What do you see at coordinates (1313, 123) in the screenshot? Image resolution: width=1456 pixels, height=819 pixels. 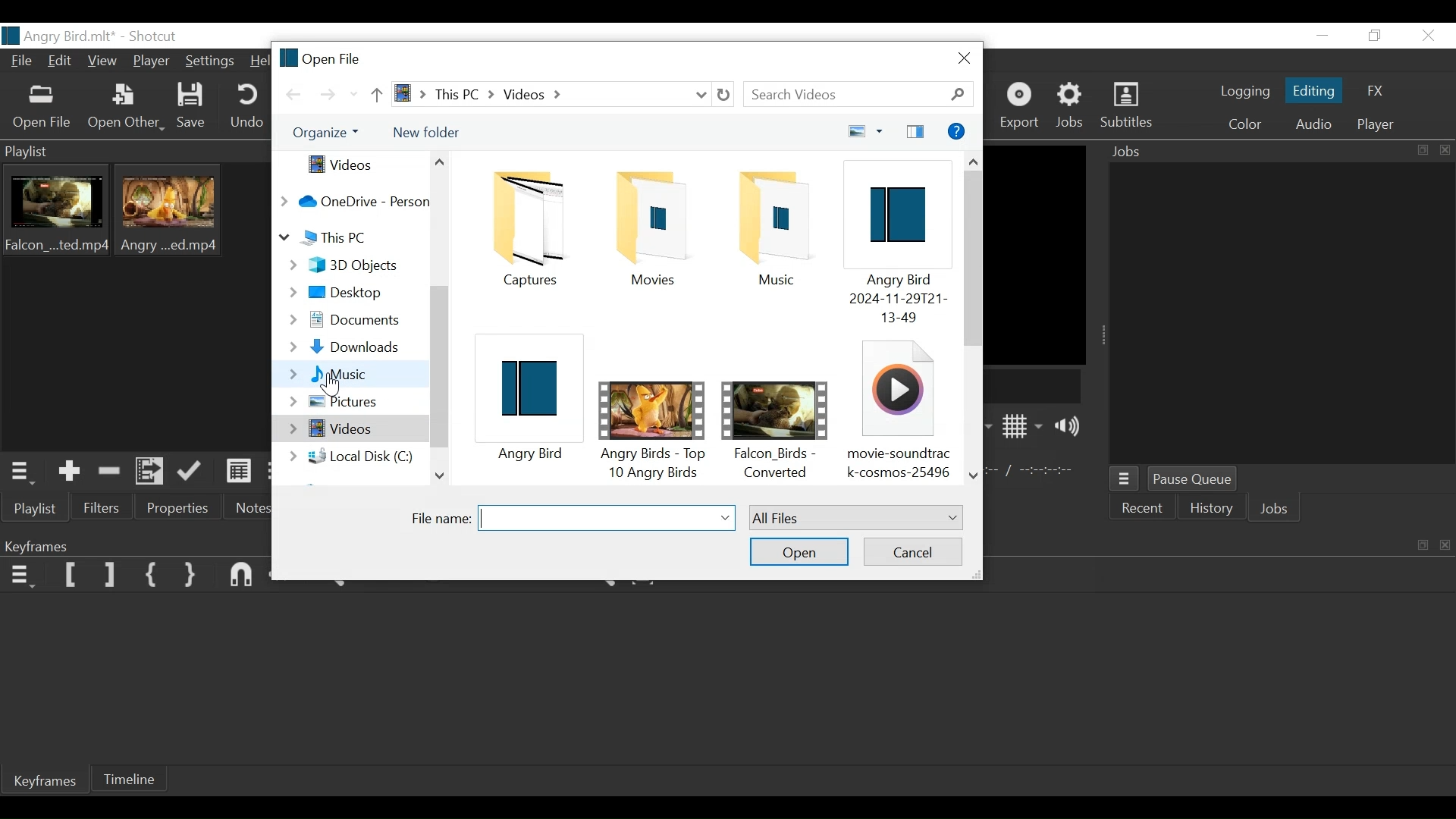 I see `Audio` at bounding box center [1313, 123].